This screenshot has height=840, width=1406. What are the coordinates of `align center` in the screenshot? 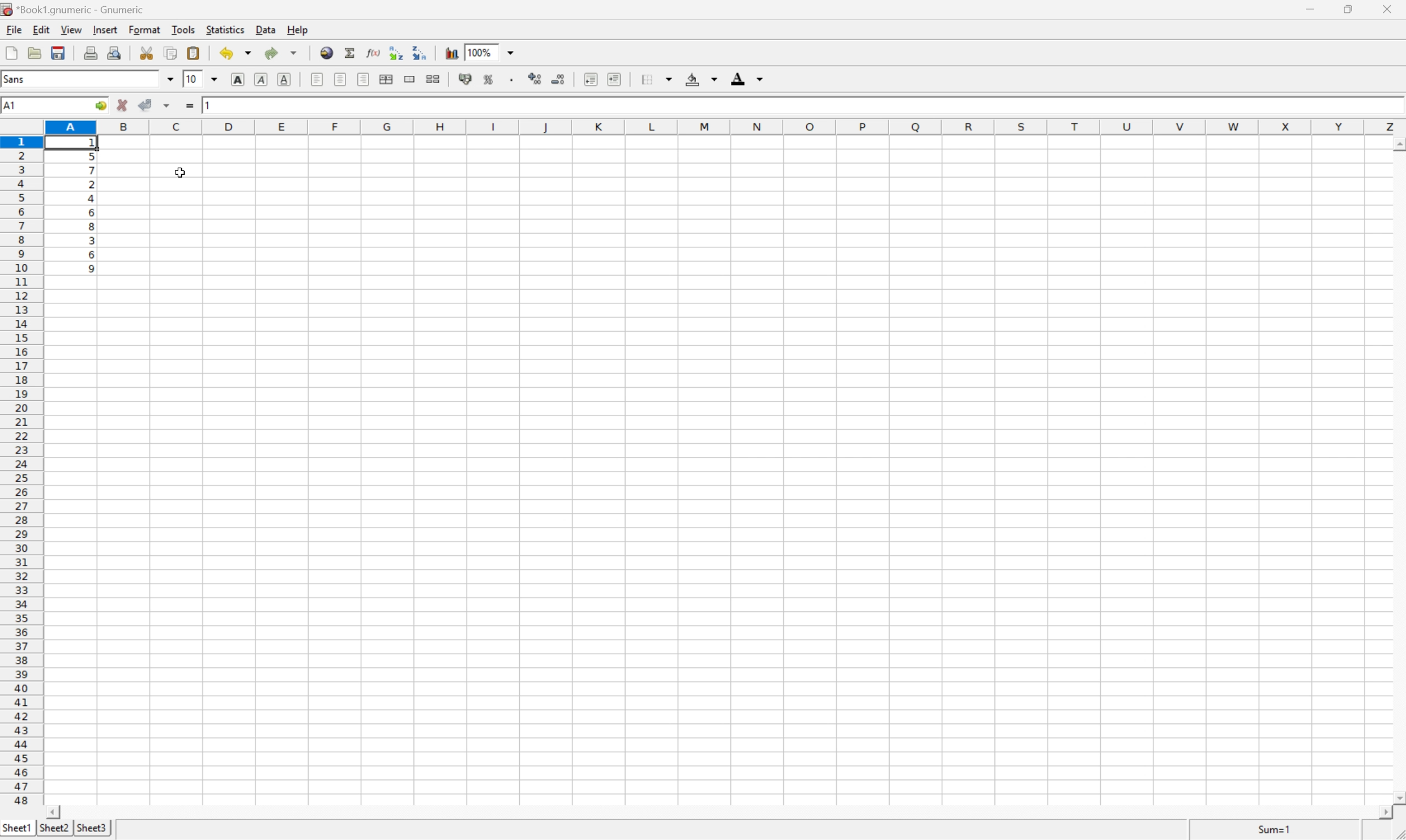 It's located at (342, 79).